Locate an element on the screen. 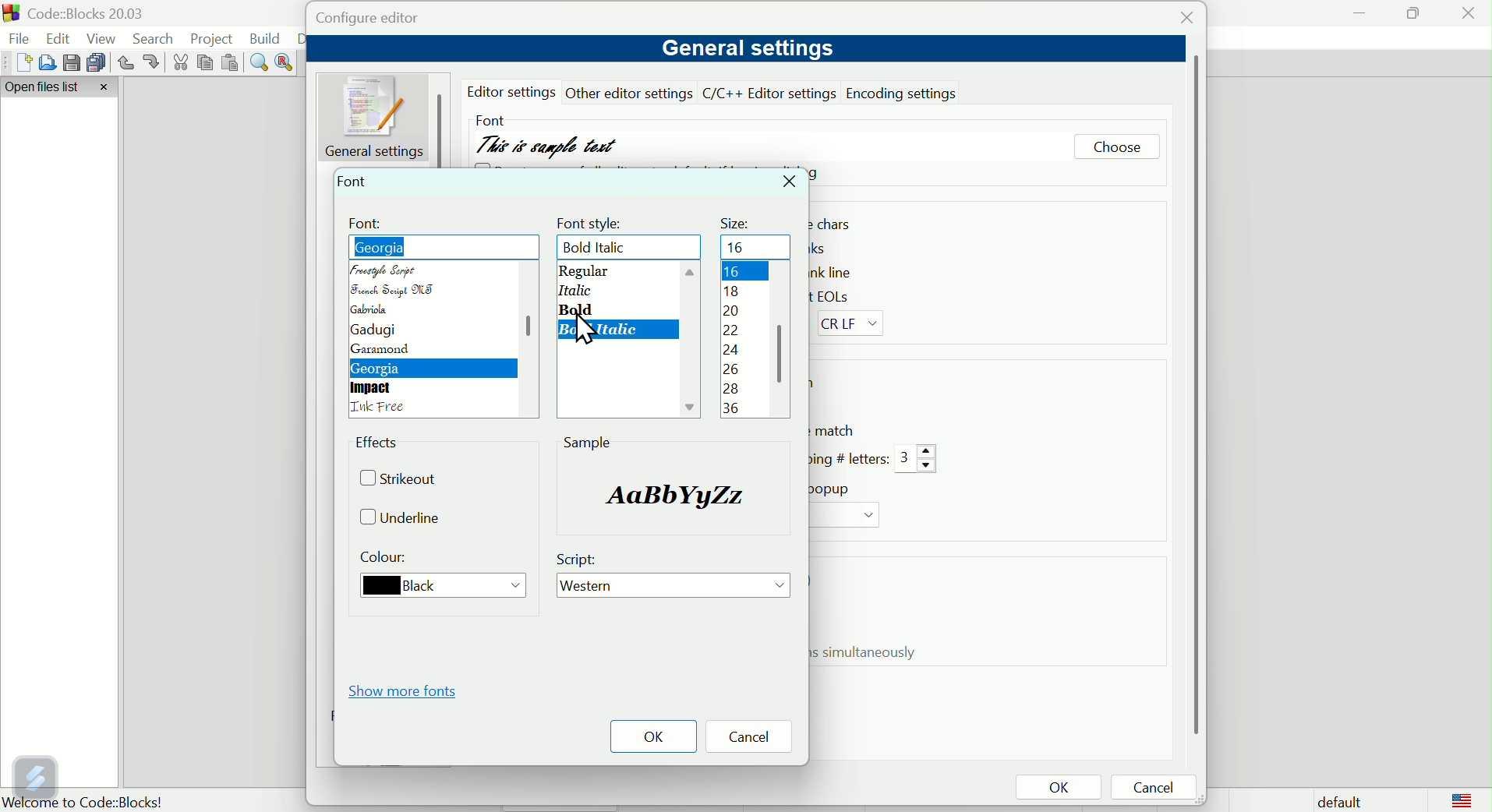 The height and width of the screenshot is (812, 1492). sample is located at coordinates (588, 442).